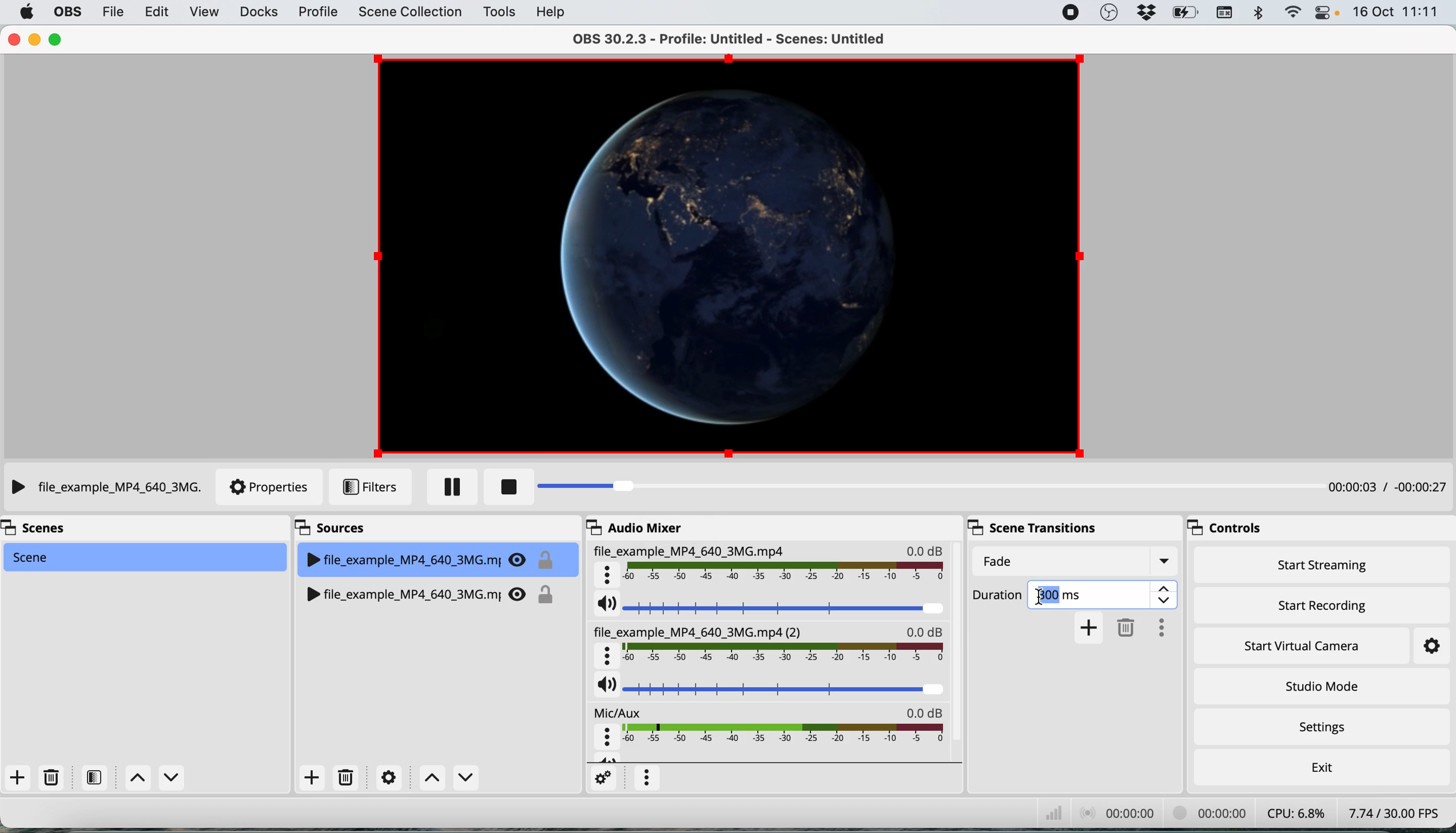  Describe the element at coordinates (1260, 16) in the screenshot. I see `bluetooth` at that location.